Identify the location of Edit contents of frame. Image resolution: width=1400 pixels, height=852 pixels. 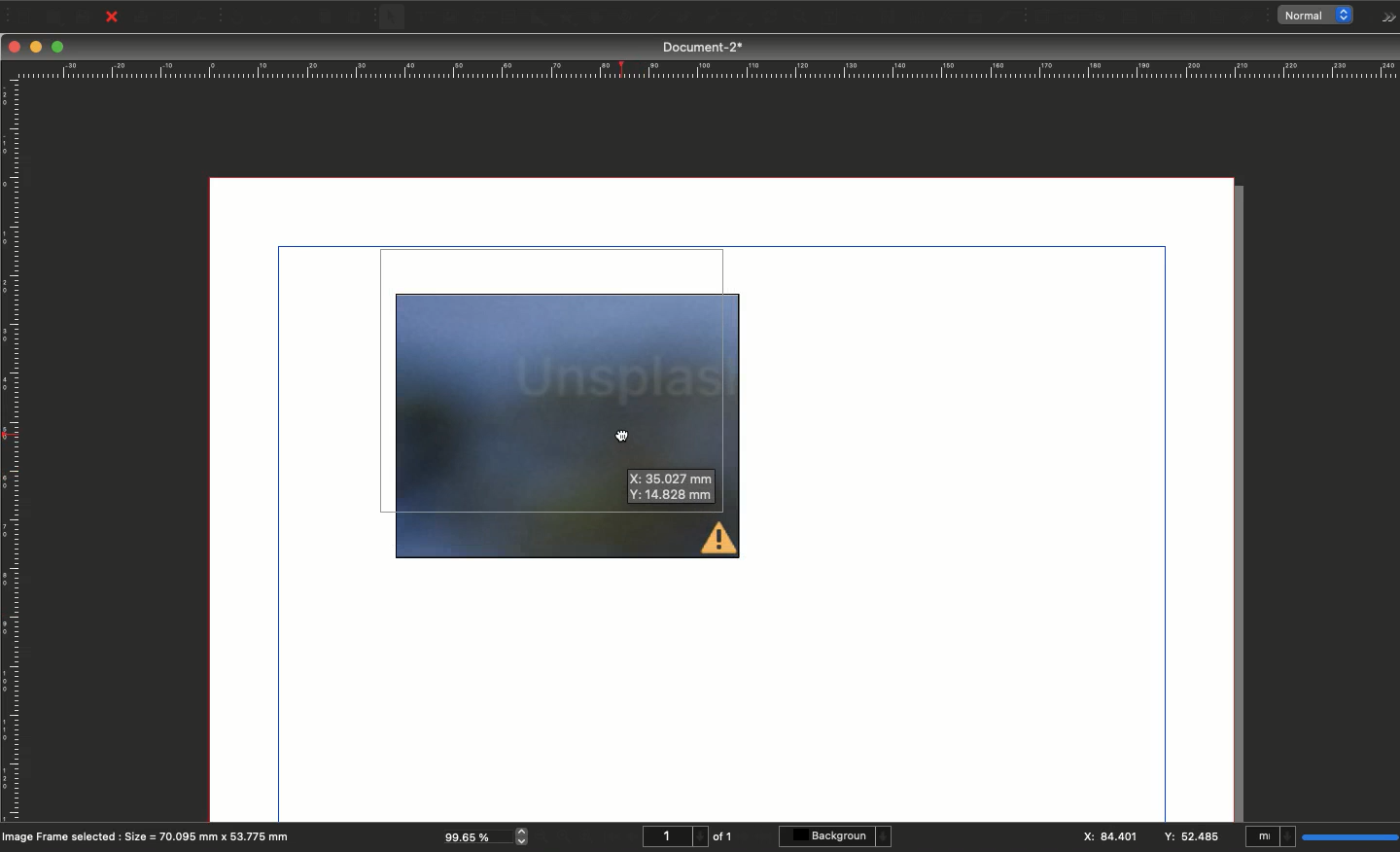
(810, 18).